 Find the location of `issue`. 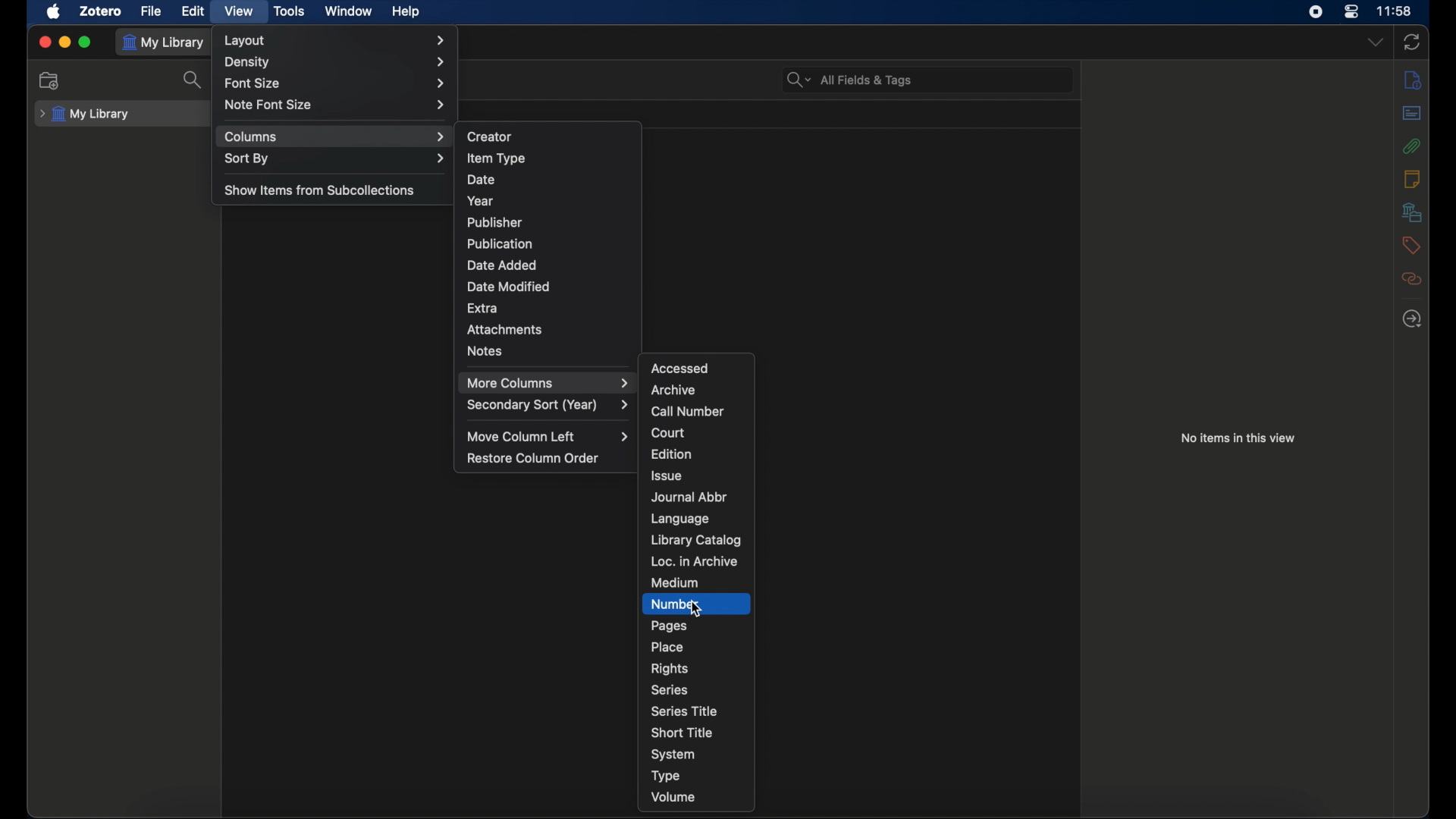

issue is located at coordinates (667, 476).